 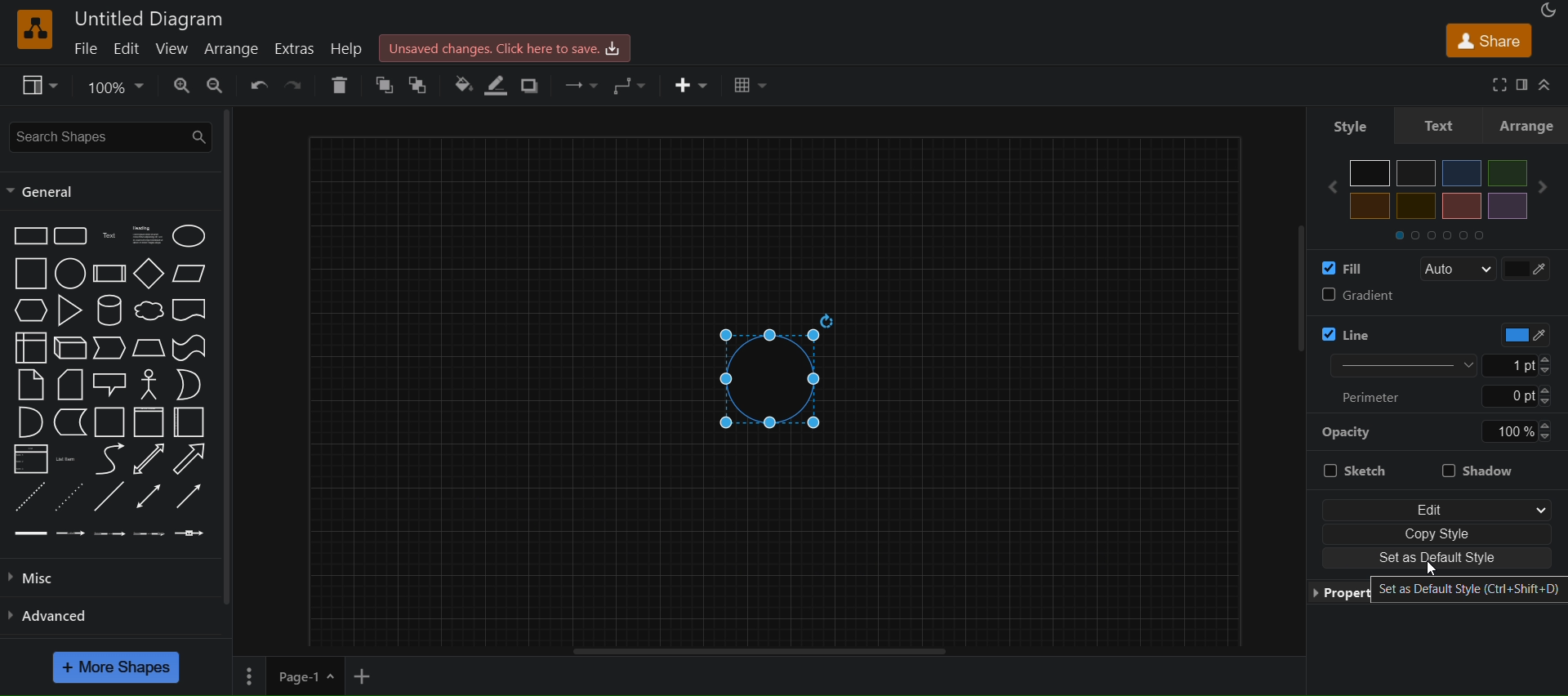 I want to click on horizontal container, so click(x=189, y=422).